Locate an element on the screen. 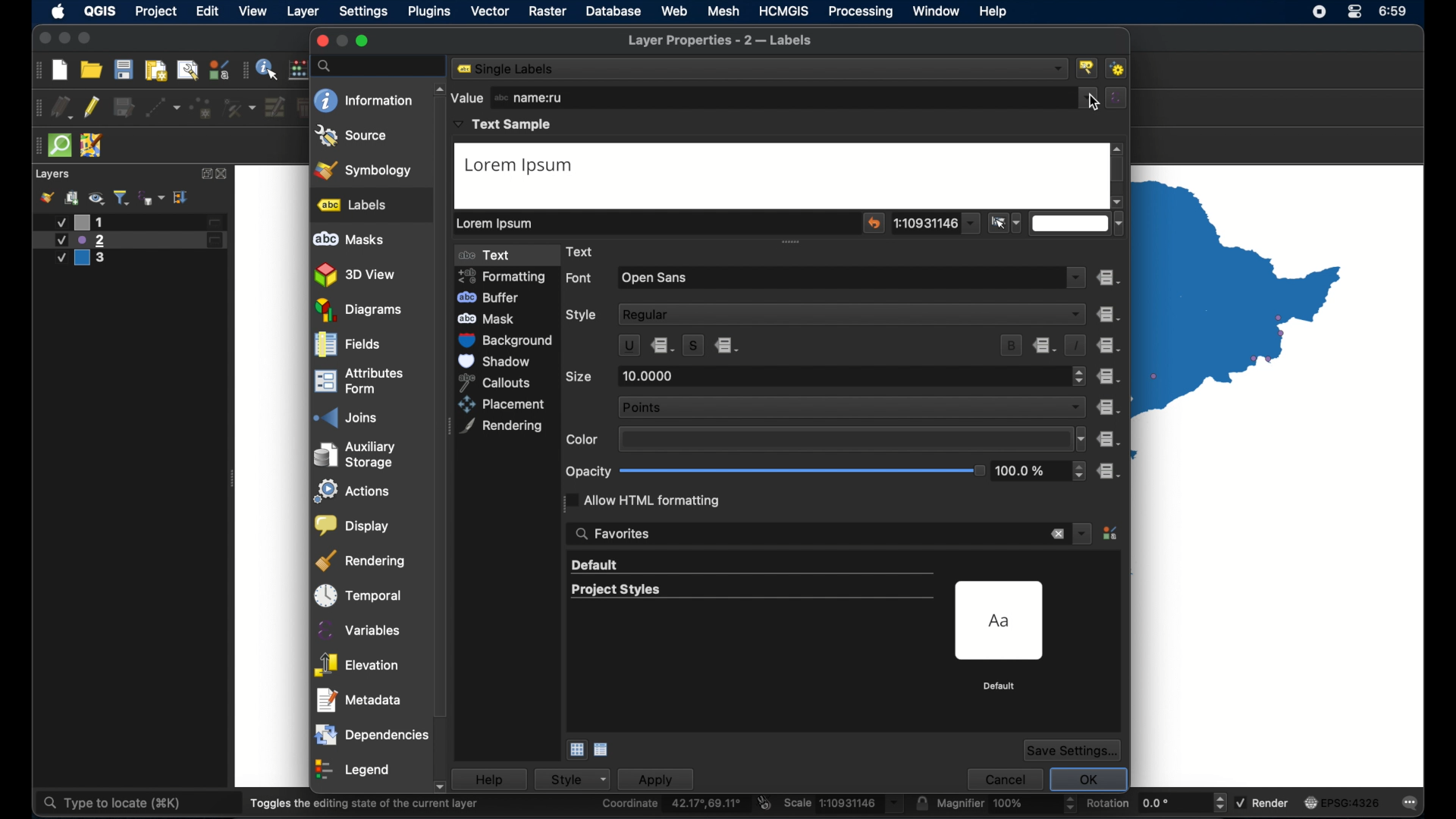 This screenshot has width=1456, height=819. scroll up arrow is located at coordinates (438, 92).